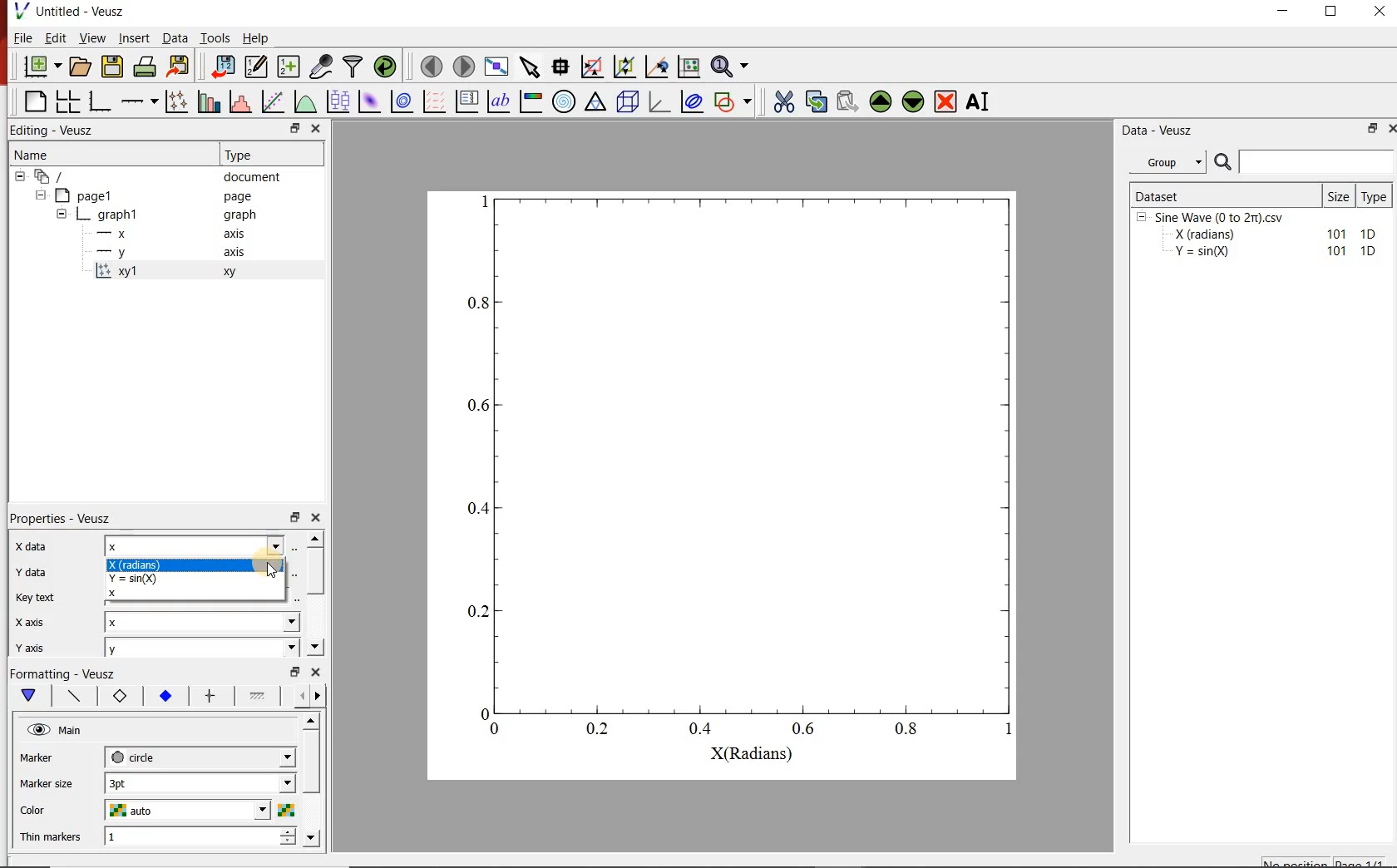  Describe the element at coordinates (28, 620) in the screenshot. I see `Log` at that location.